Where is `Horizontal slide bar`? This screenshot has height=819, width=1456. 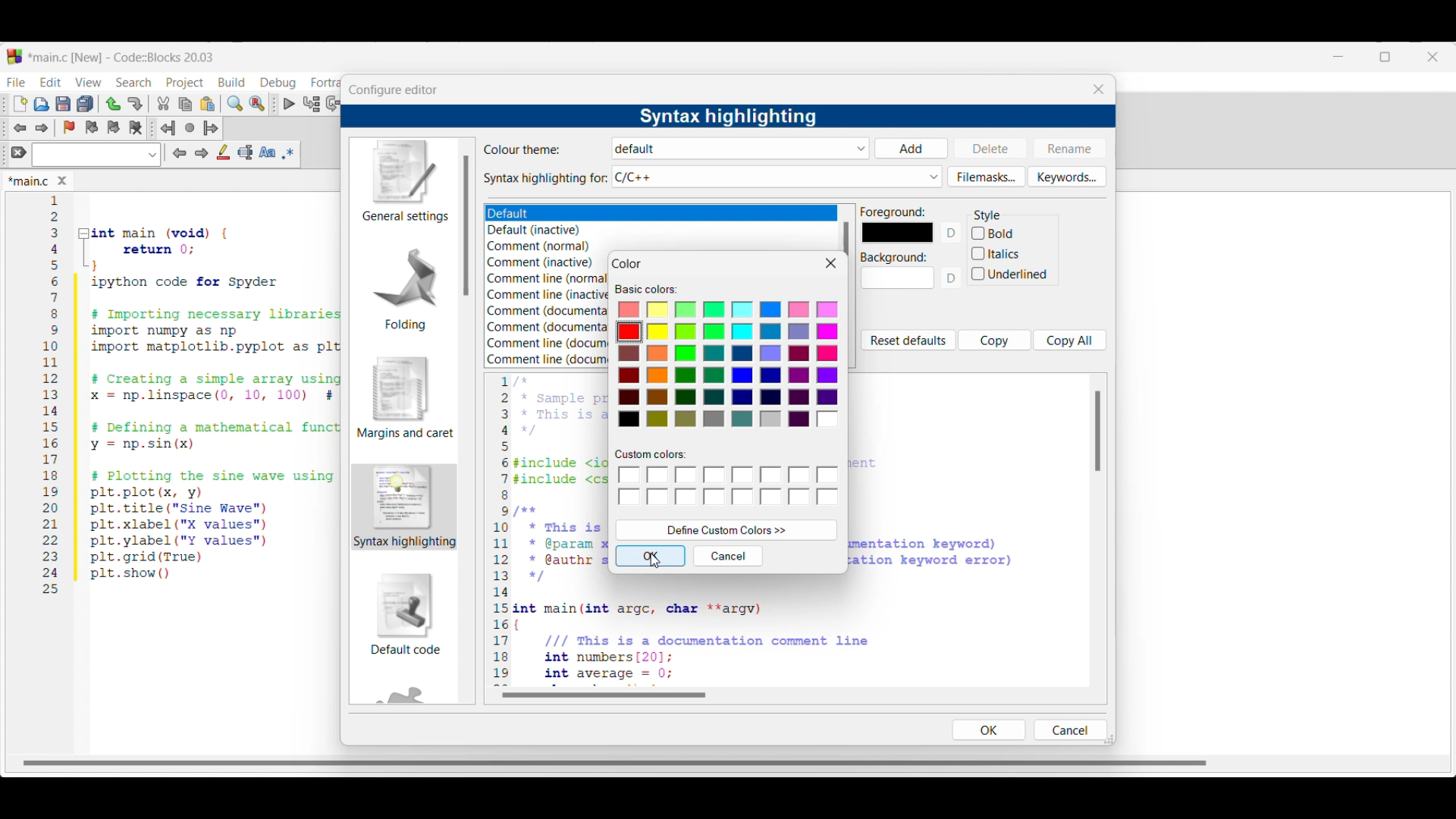
Horizontal slide bar is located at coordinates (604, 695).